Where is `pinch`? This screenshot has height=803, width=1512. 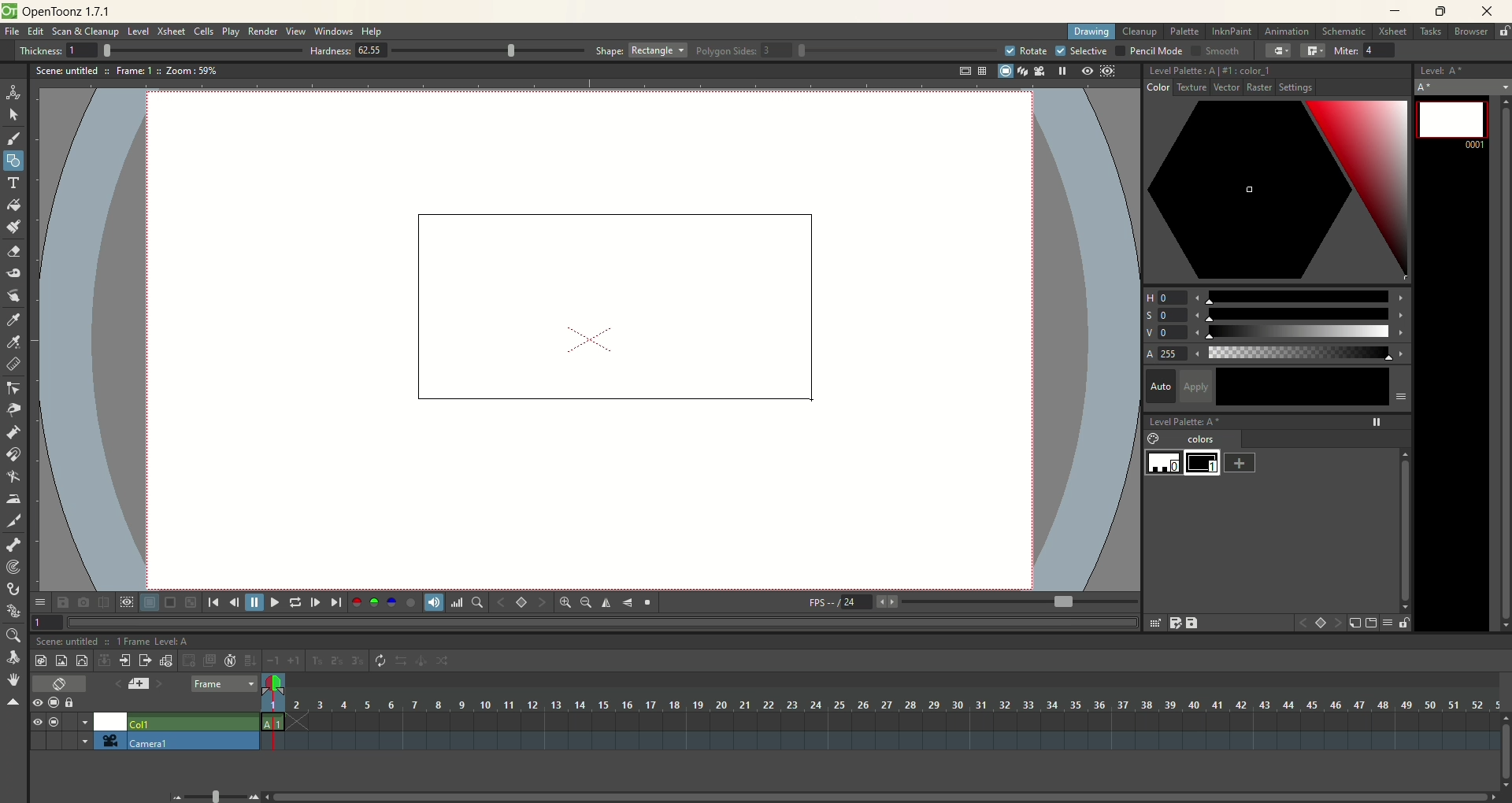
pinch is located at coordinates (14, 409).